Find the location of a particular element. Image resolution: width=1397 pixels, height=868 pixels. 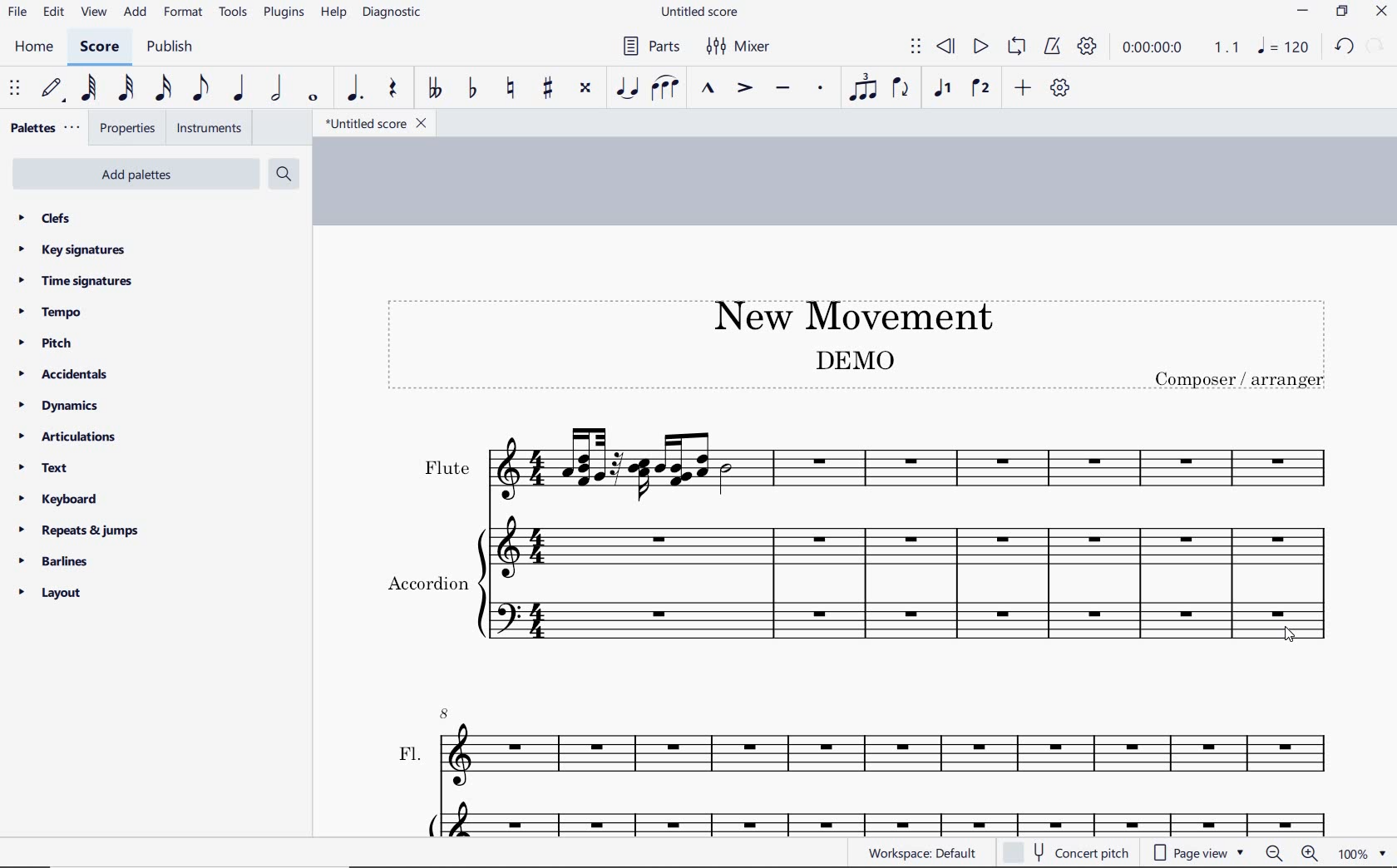

tempo is located at coordinates (55, 311).